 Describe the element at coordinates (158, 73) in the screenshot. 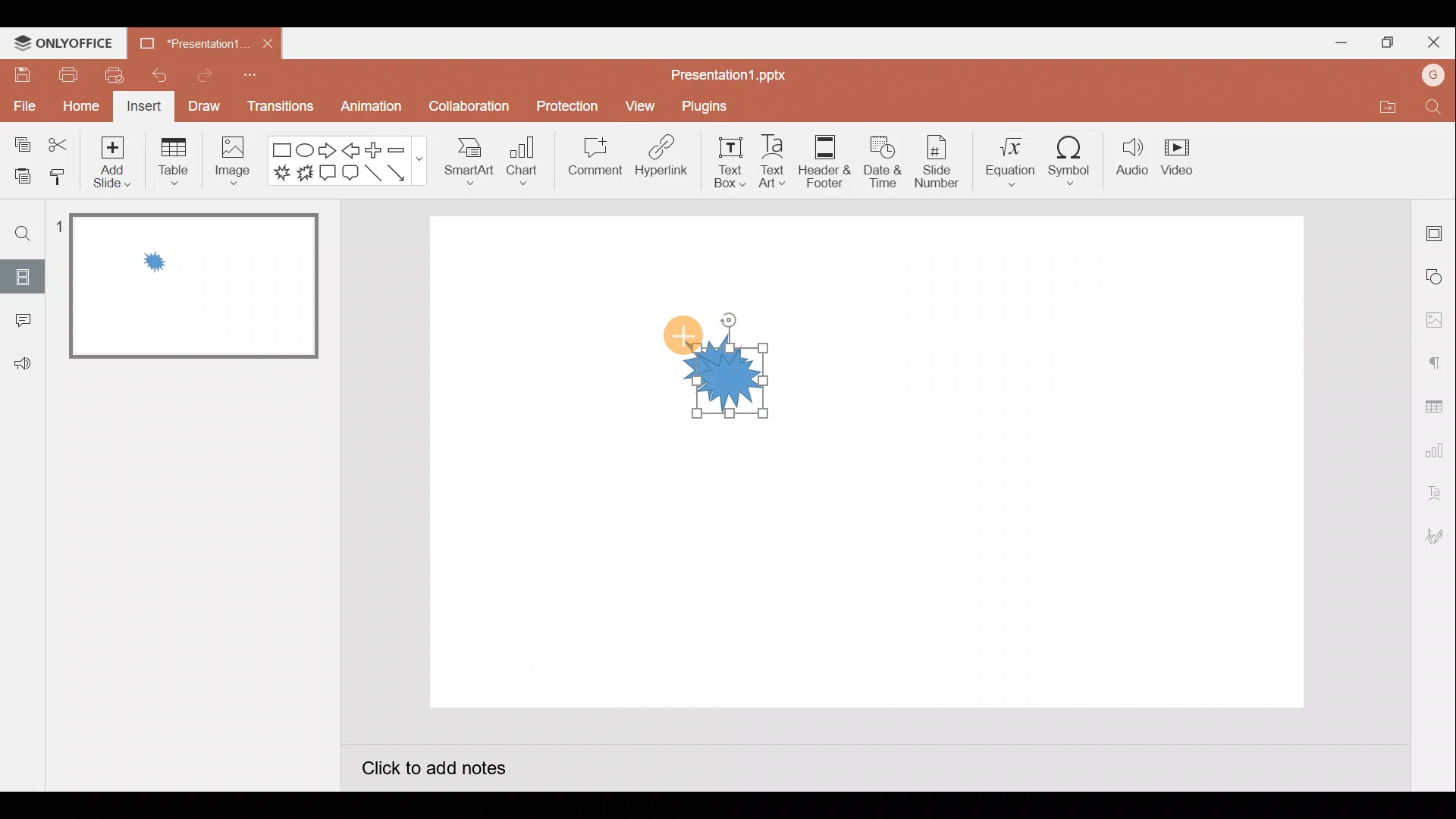

I see `Undo` at that location.